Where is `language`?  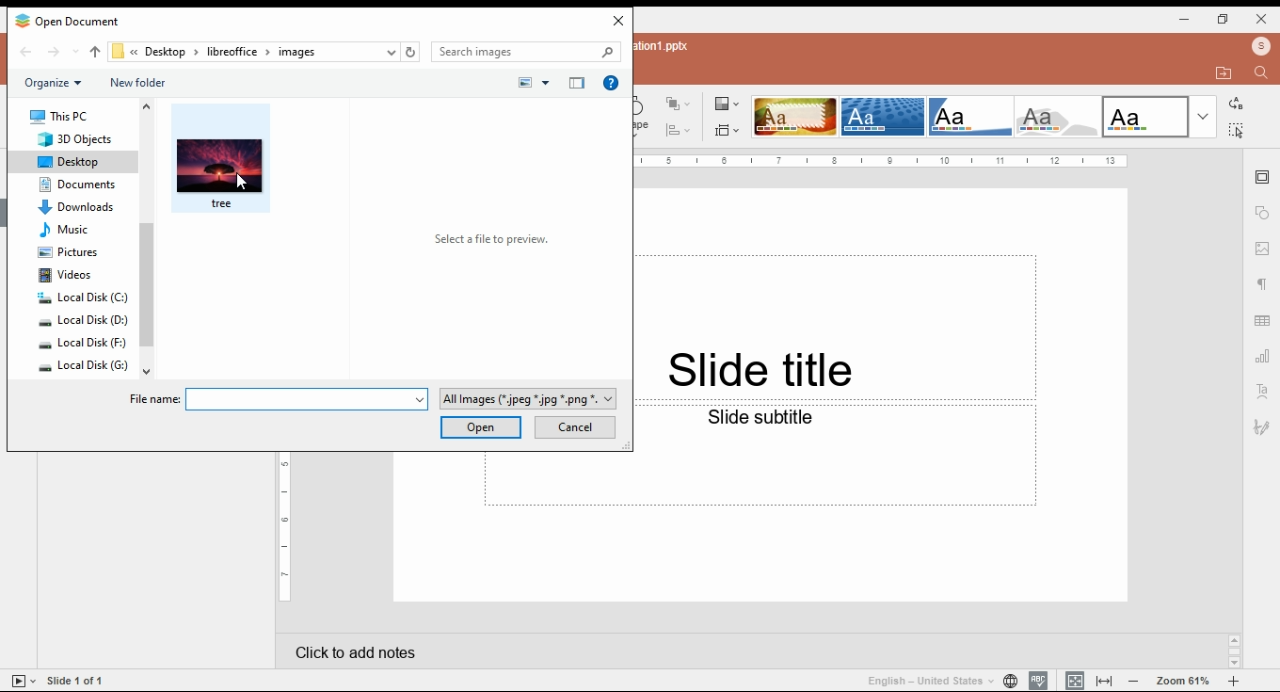
language is located at coordinates (935, 682).